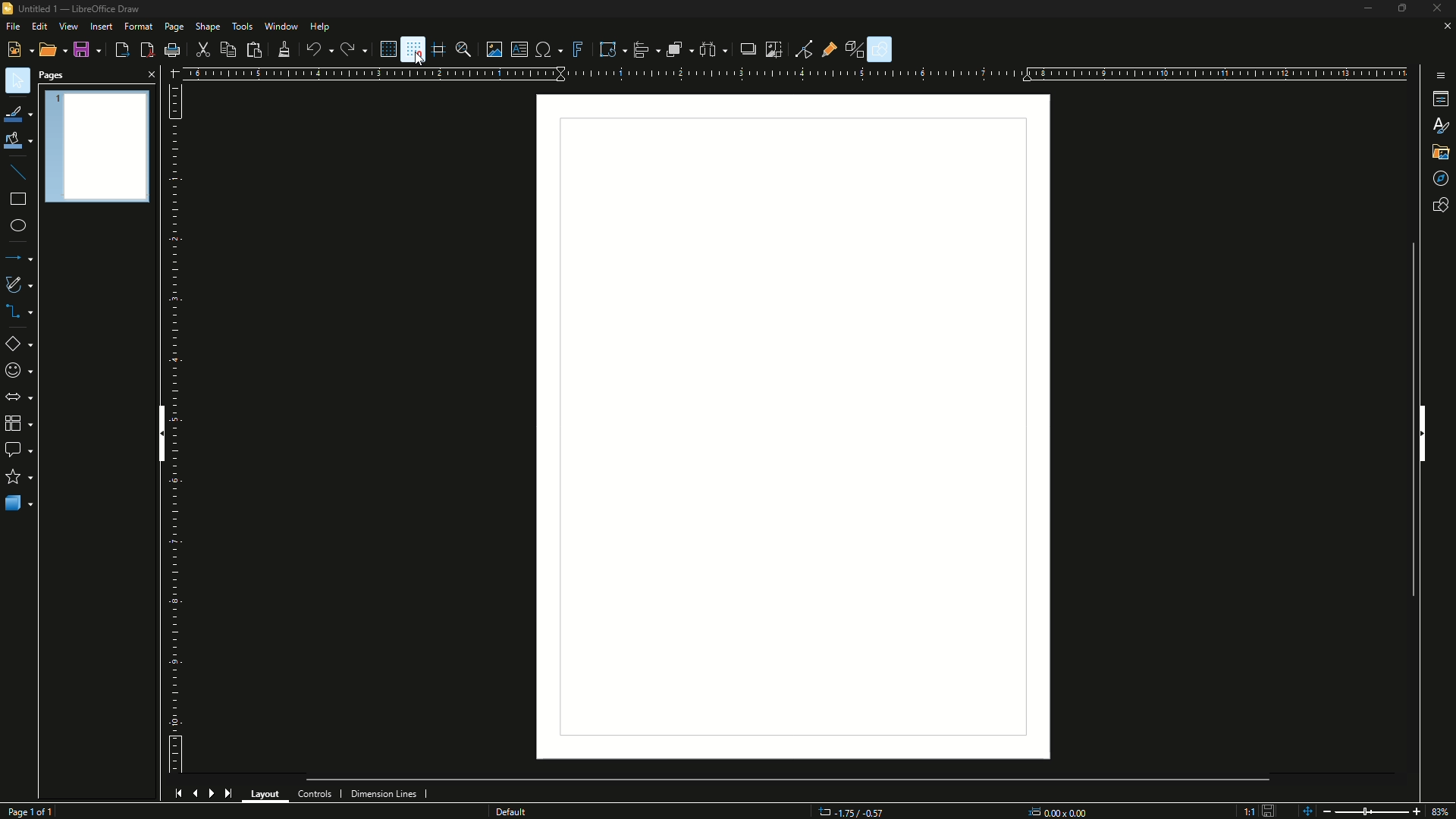  I want to click on 3D Objects, so click(23, 505).